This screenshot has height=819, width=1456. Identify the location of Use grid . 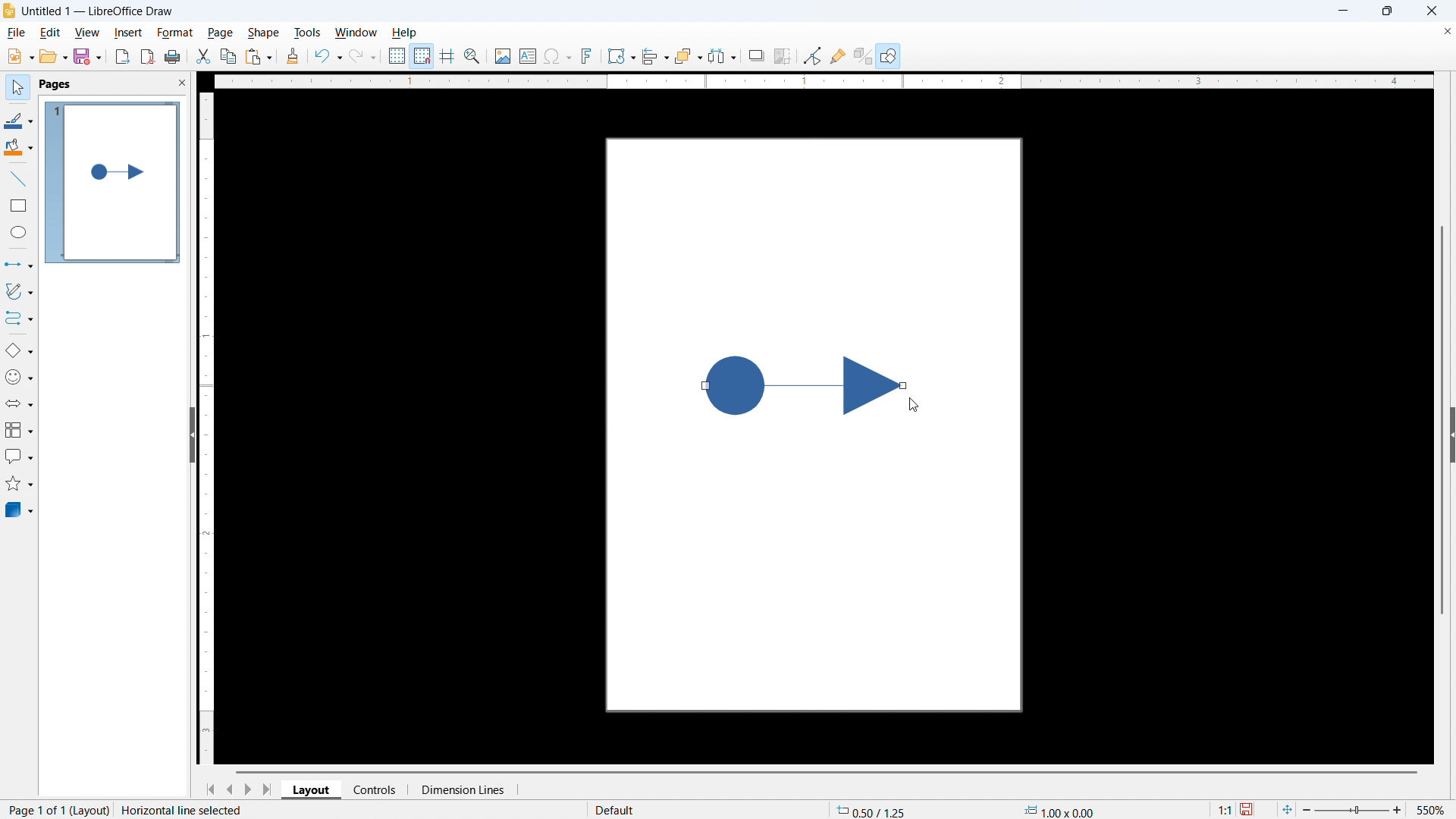
(397, 56).